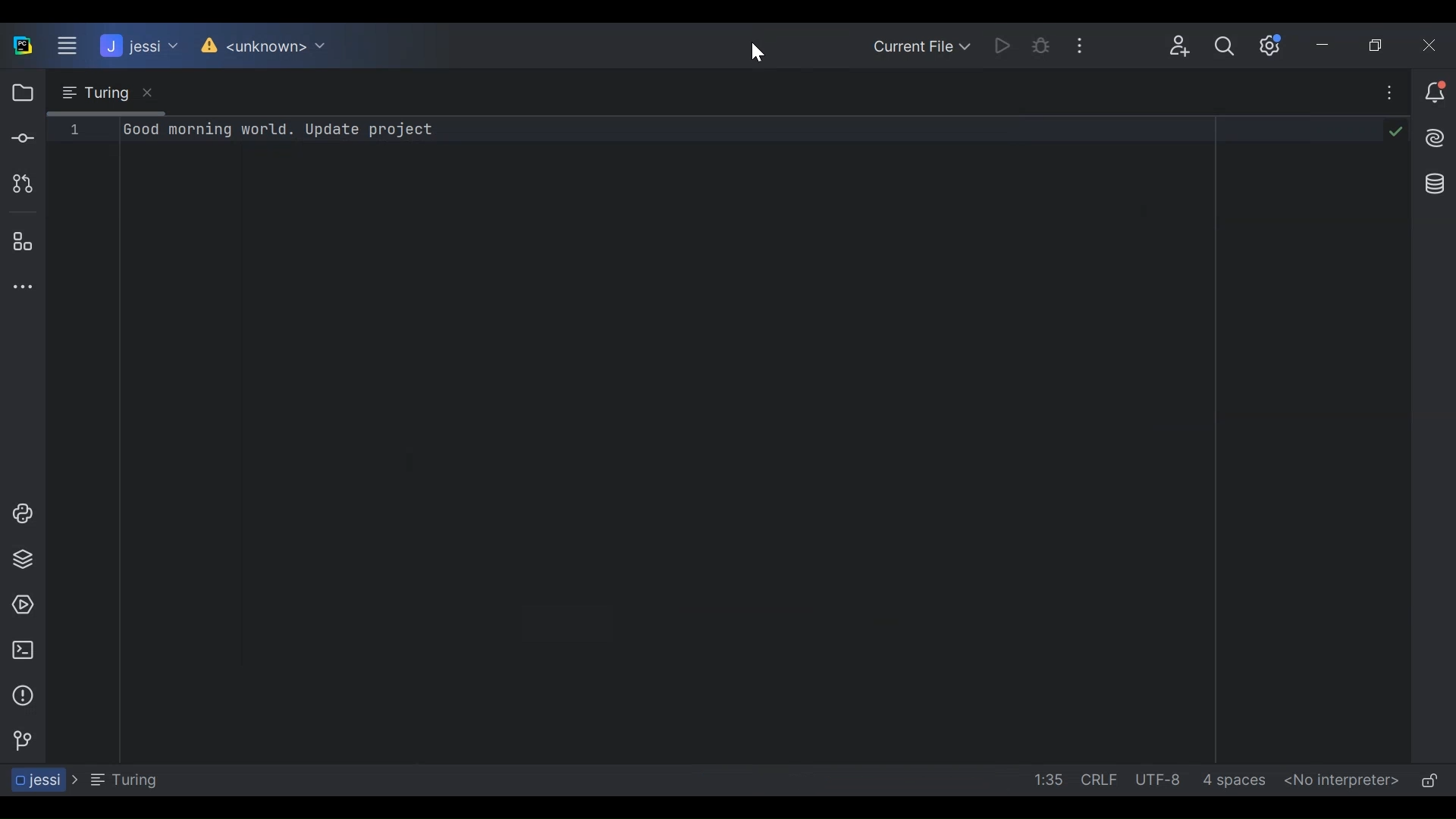 This screenshot has height=819, width=1456. What do you see at coordinates (21, 45) in the screenshot?
I see `PyCharm Desktop Icon` at bounding box center [21, 45].